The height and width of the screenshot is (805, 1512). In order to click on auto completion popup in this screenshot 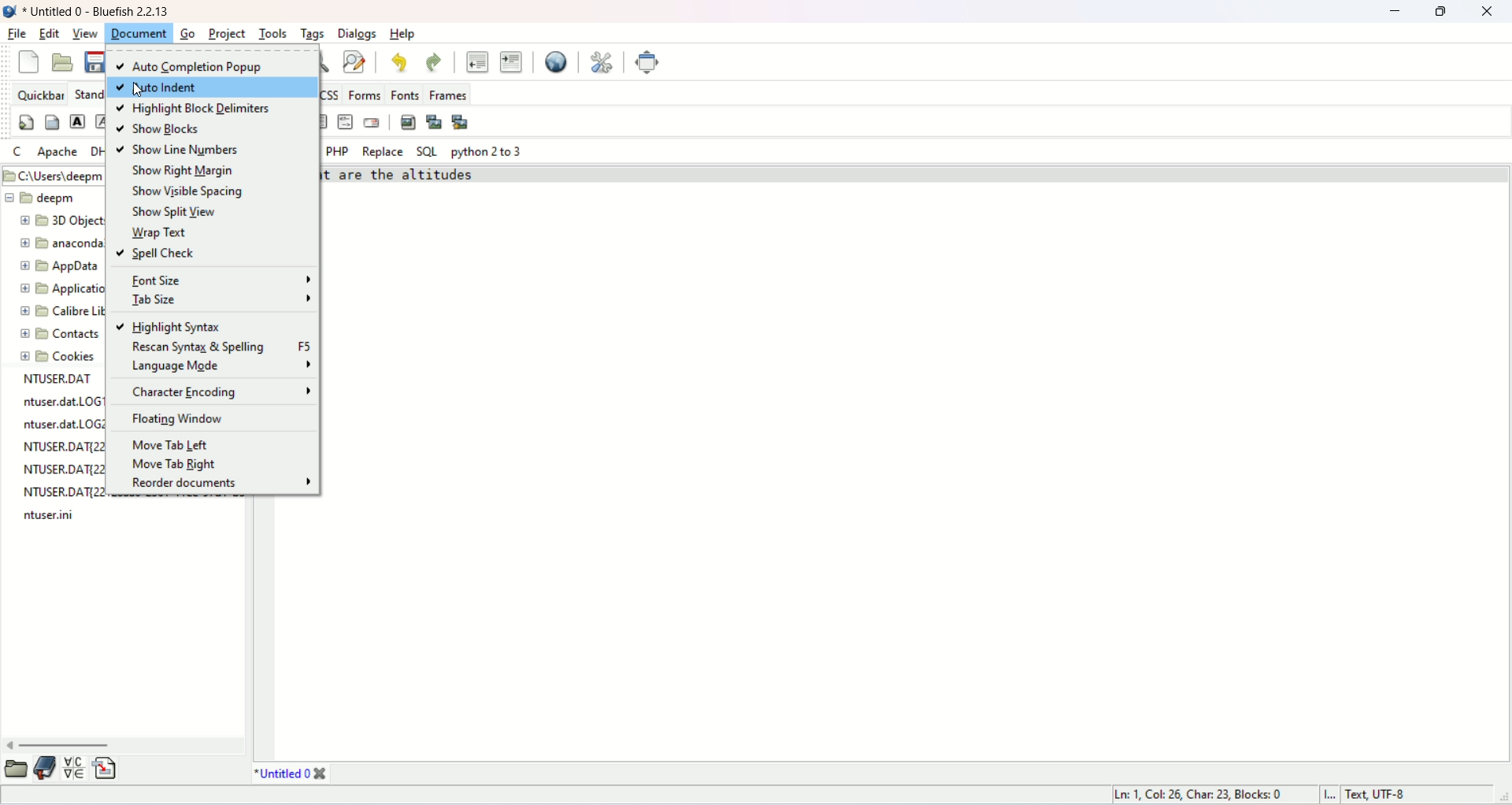, I will do `click(214, 64)`.